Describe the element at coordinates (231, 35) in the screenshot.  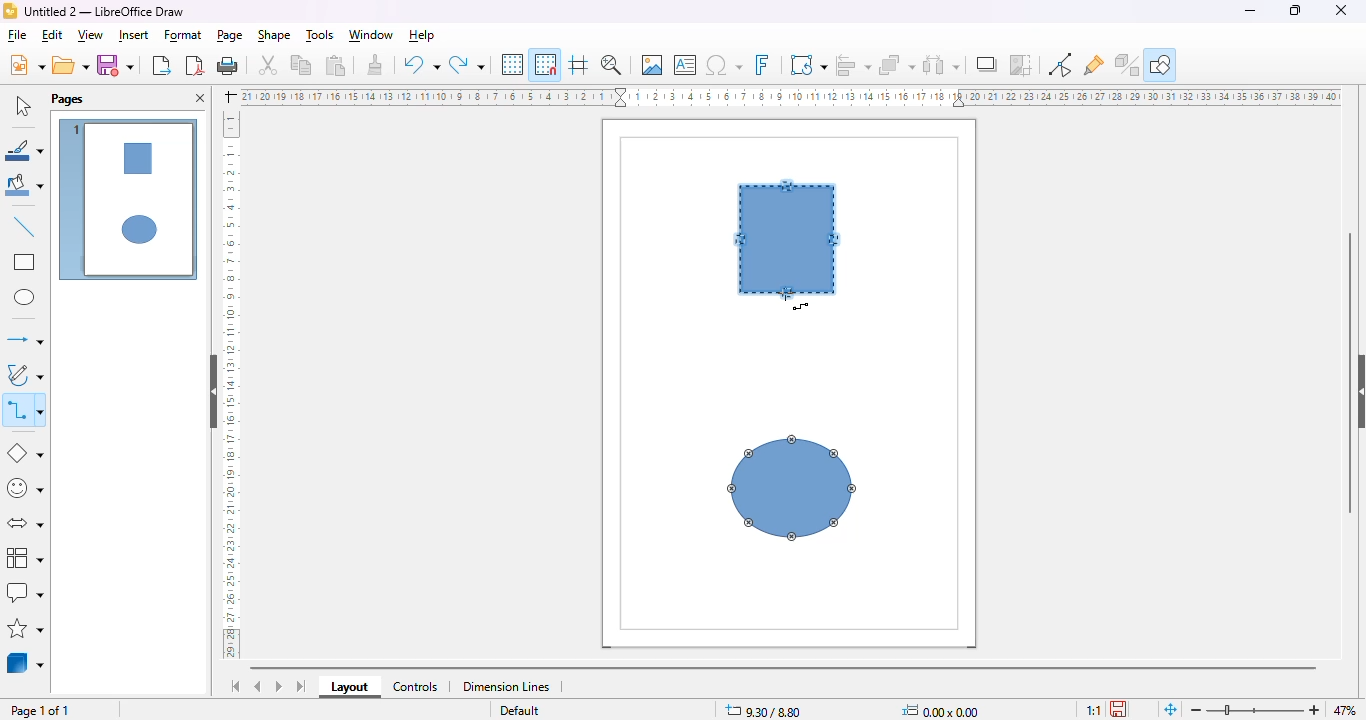
I see `page` at that location.